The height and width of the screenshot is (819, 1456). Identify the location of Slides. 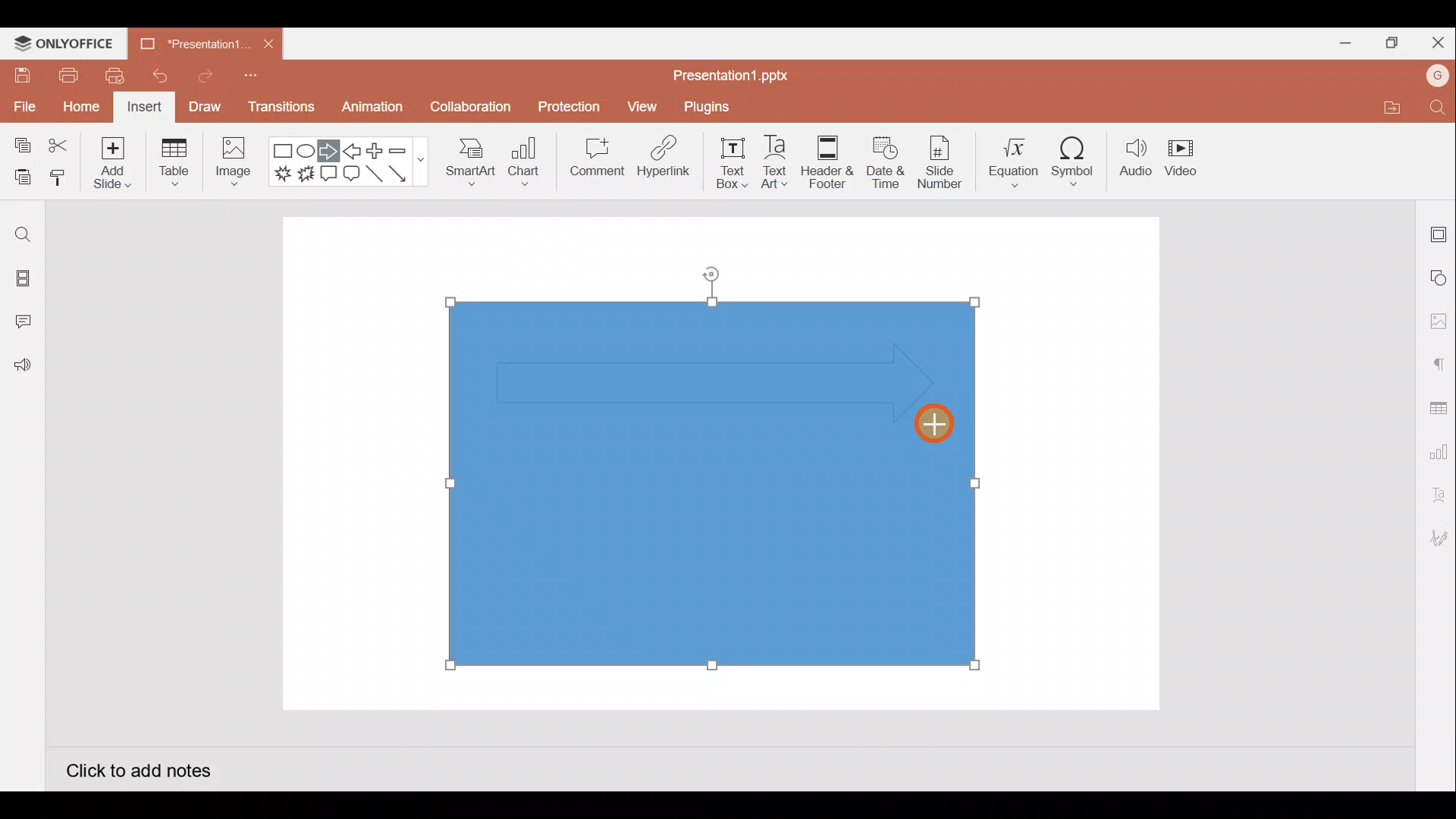
(21, 281).